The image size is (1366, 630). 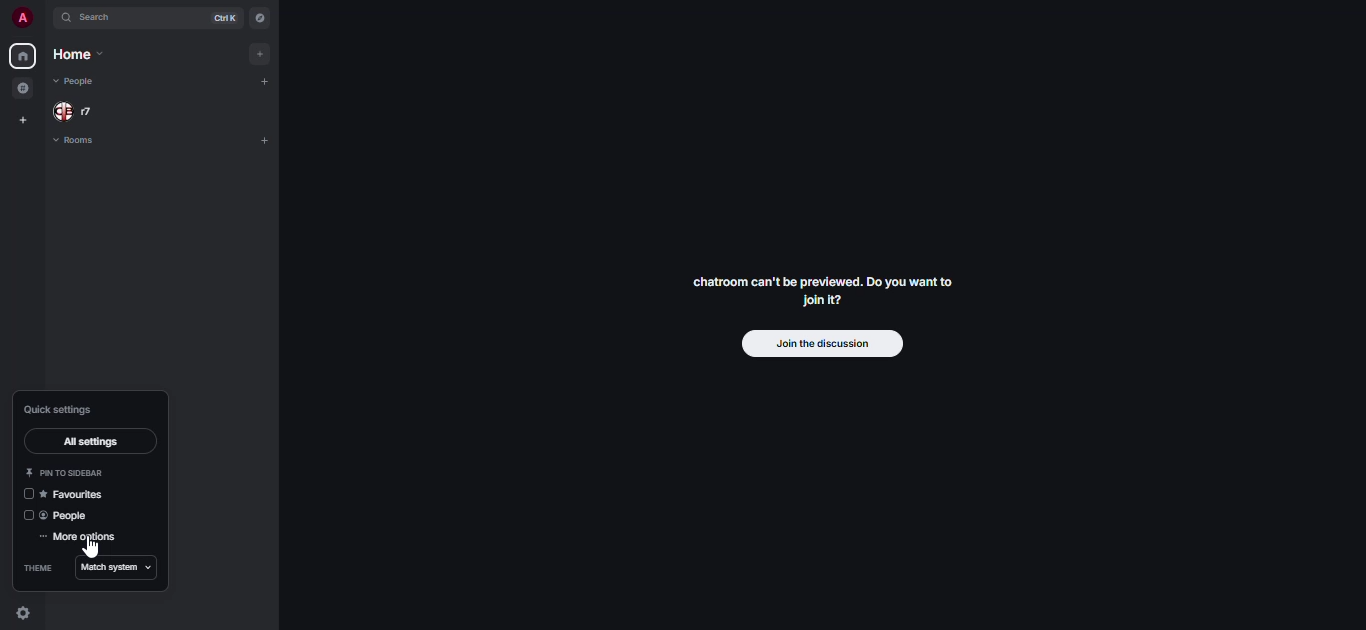 I want to click on people, so click(x=79, y=111).